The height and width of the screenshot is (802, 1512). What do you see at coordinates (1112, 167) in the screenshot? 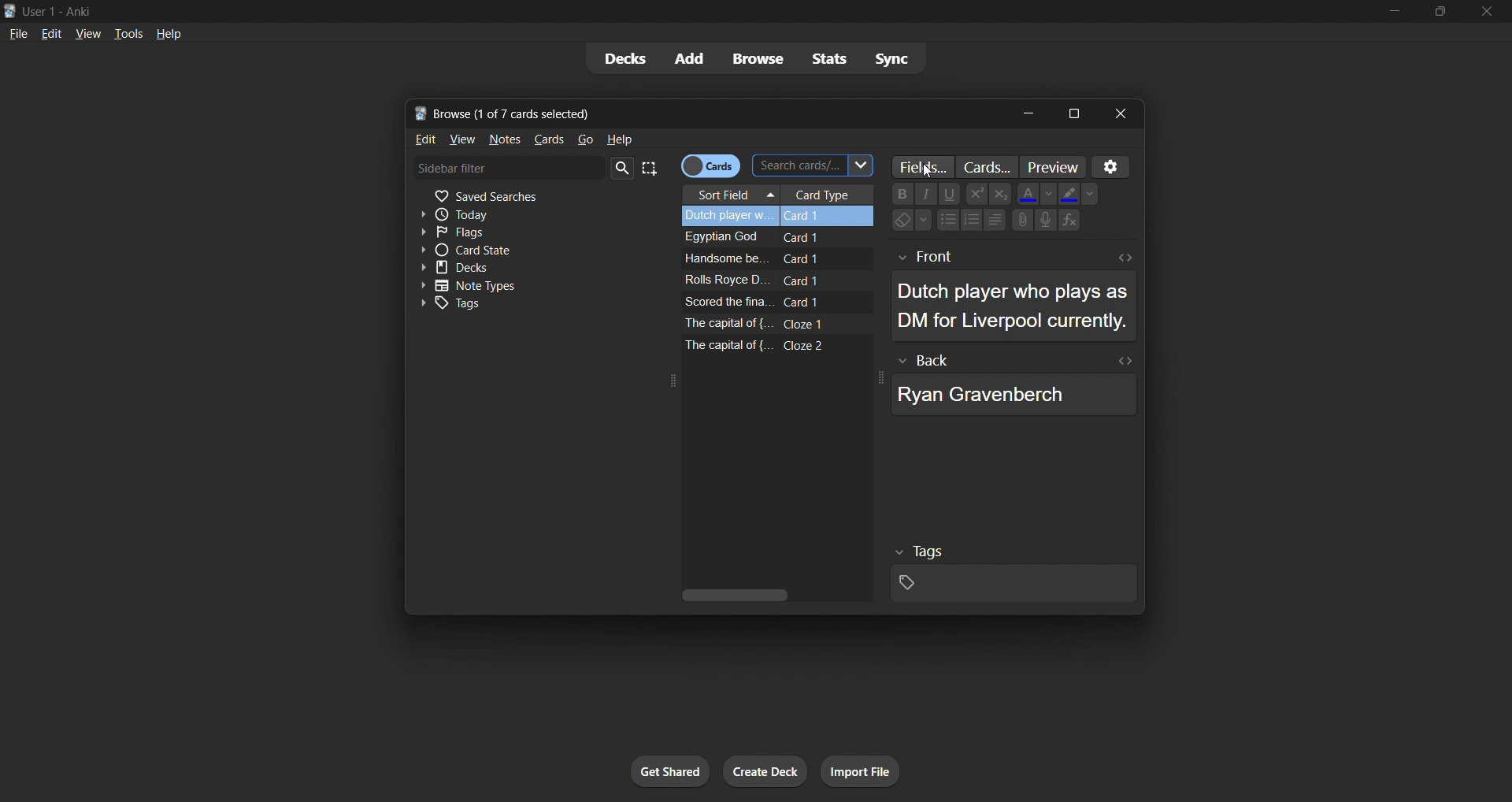
I see `Settings` at bounding box center [1112, 167].